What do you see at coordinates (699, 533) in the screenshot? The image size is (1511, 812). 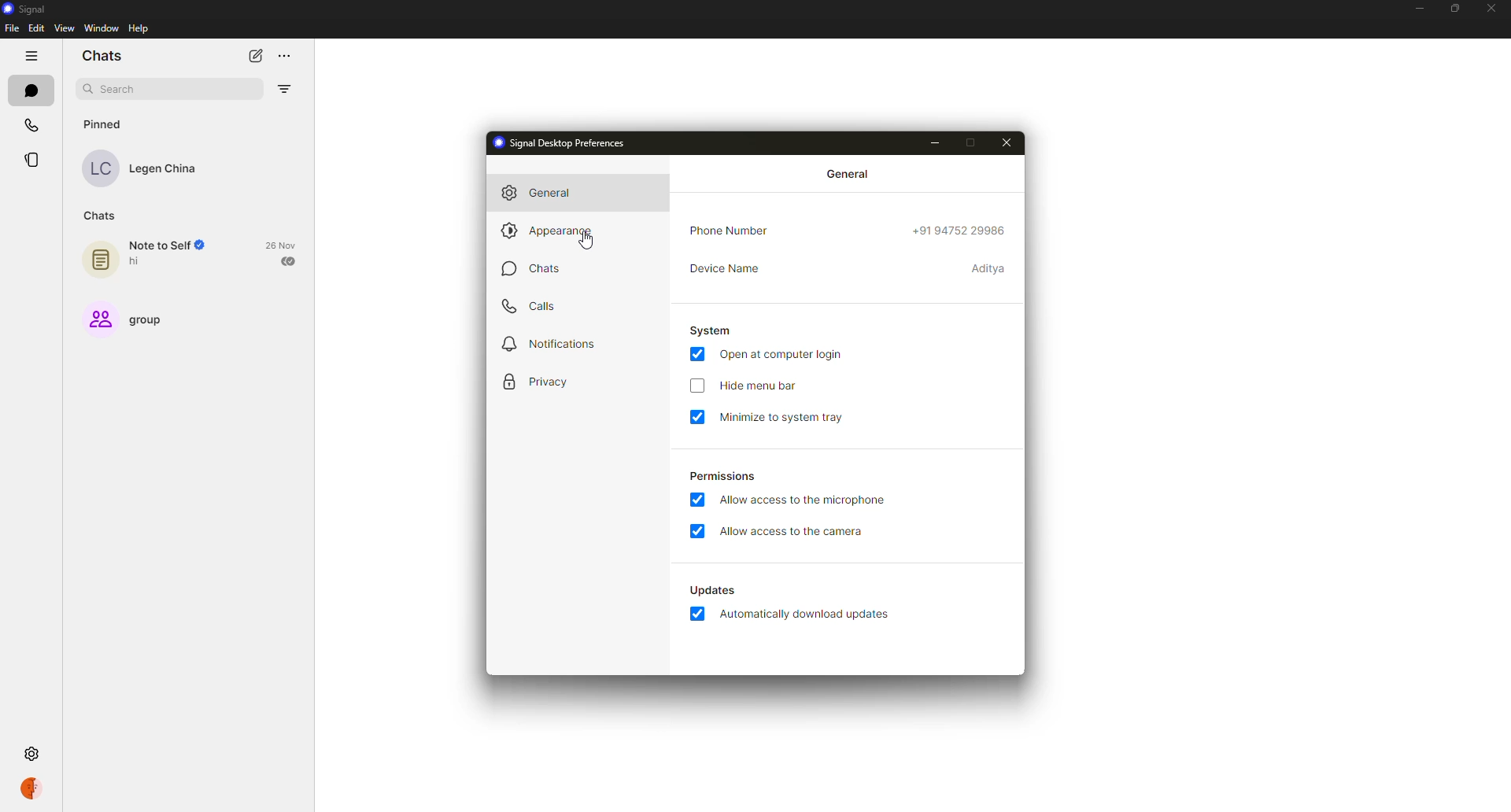 I see `enabled` at bounding box center [699, 533].